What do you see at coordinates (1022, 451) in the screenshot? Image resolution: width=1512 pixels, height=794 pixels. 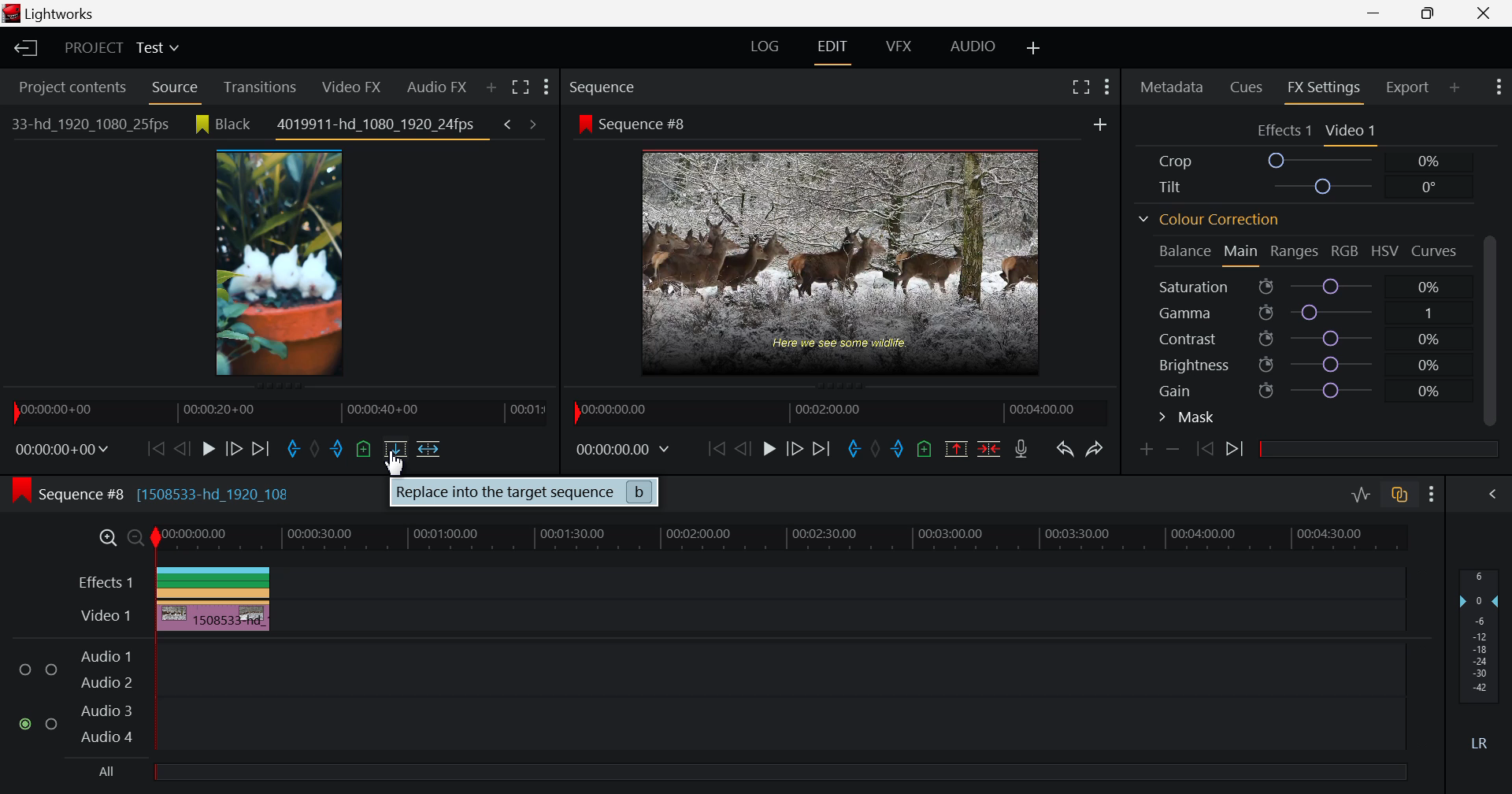 I see `Record Voiceover` at bounding box center [1022, 451].